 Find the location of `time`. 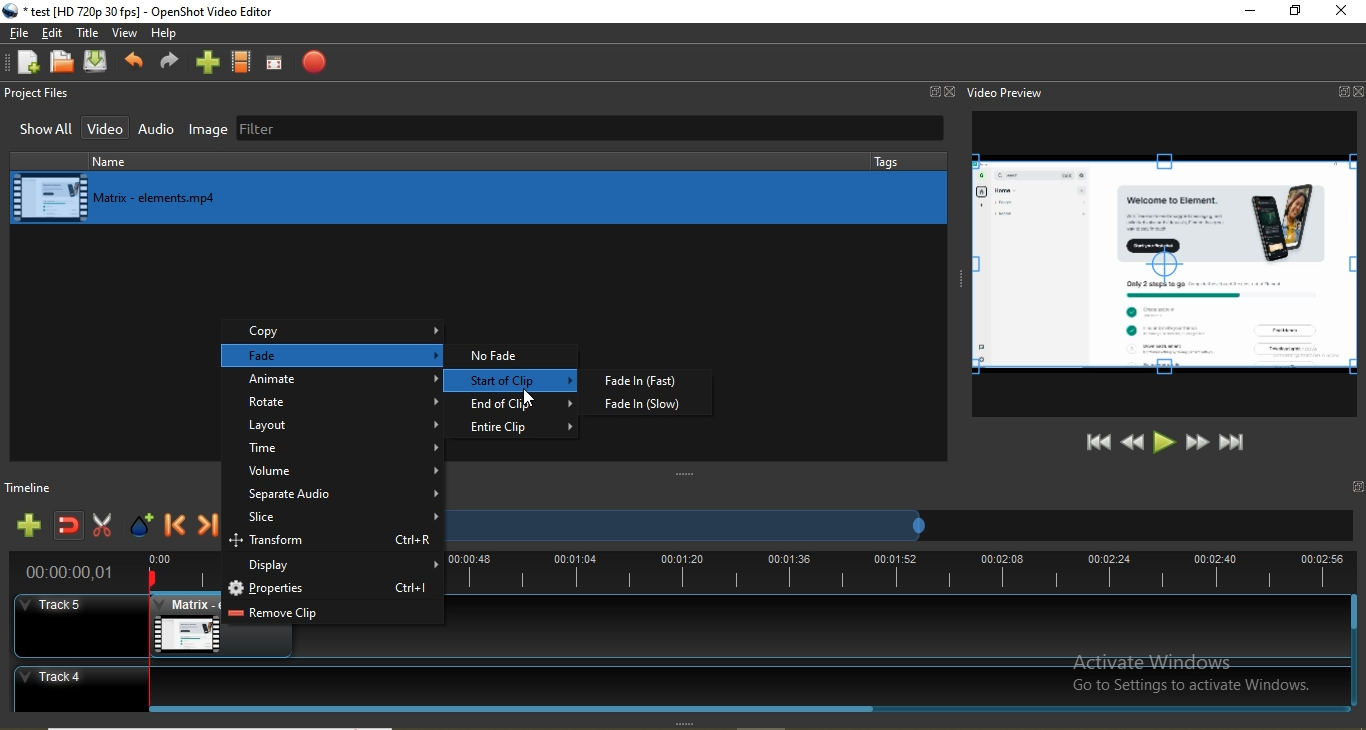

time is located at coordinates (338, 450).